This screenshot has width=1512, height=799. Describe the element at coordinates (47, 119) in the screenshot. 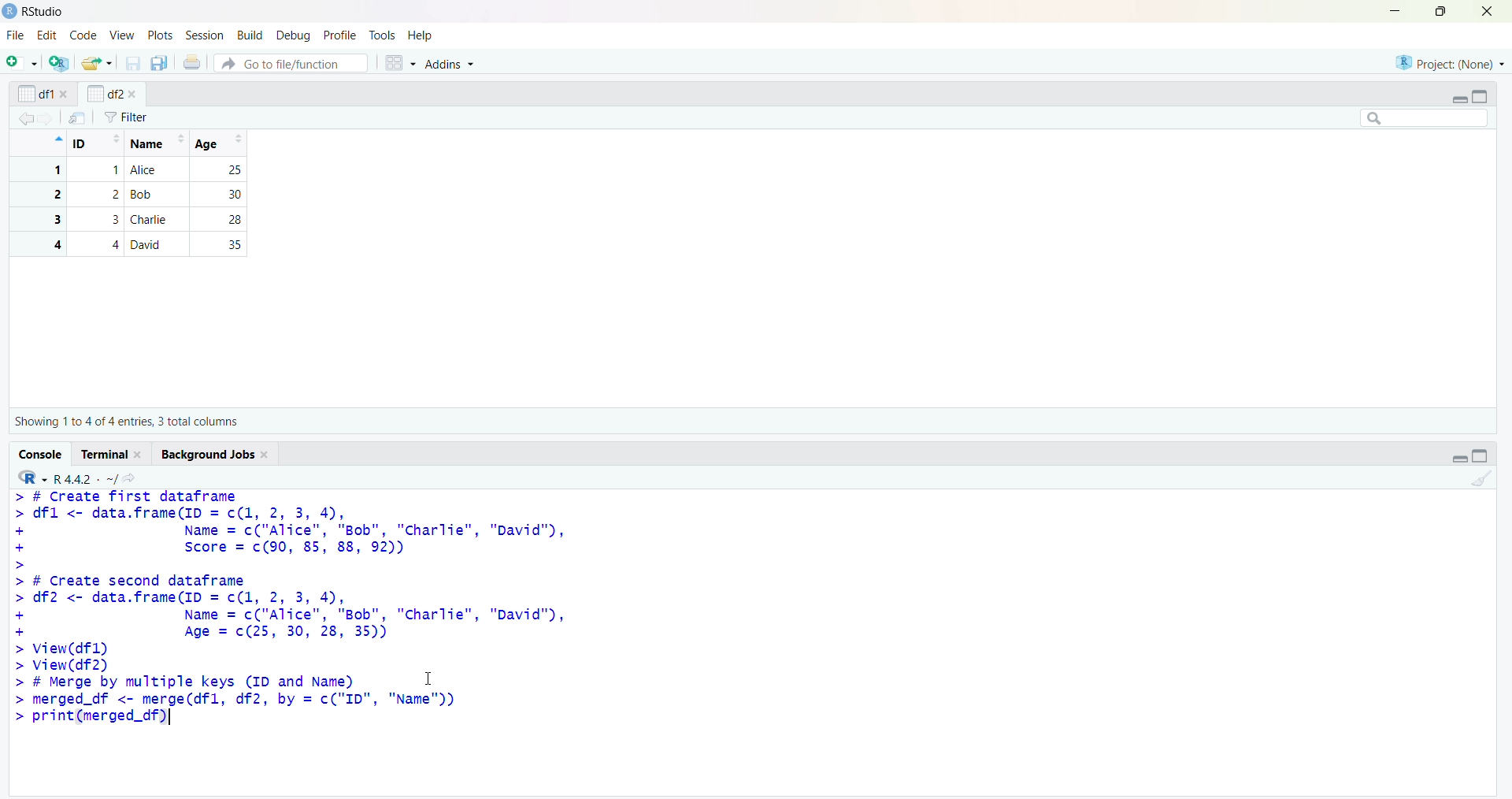

I see `forward` at that location.